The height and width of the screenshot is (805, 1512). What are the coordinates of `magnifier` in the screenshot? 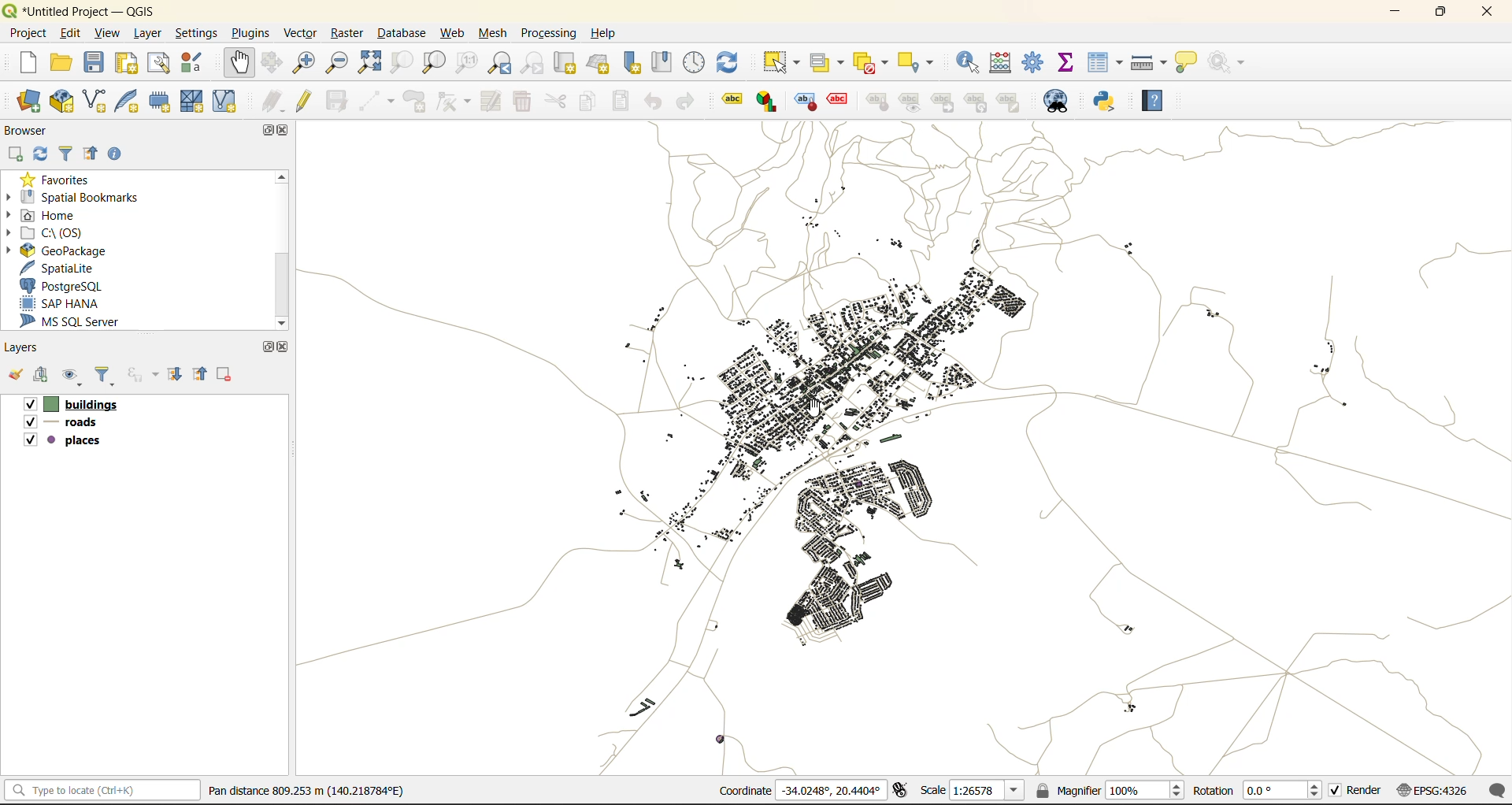 It's located at (1108, 791).